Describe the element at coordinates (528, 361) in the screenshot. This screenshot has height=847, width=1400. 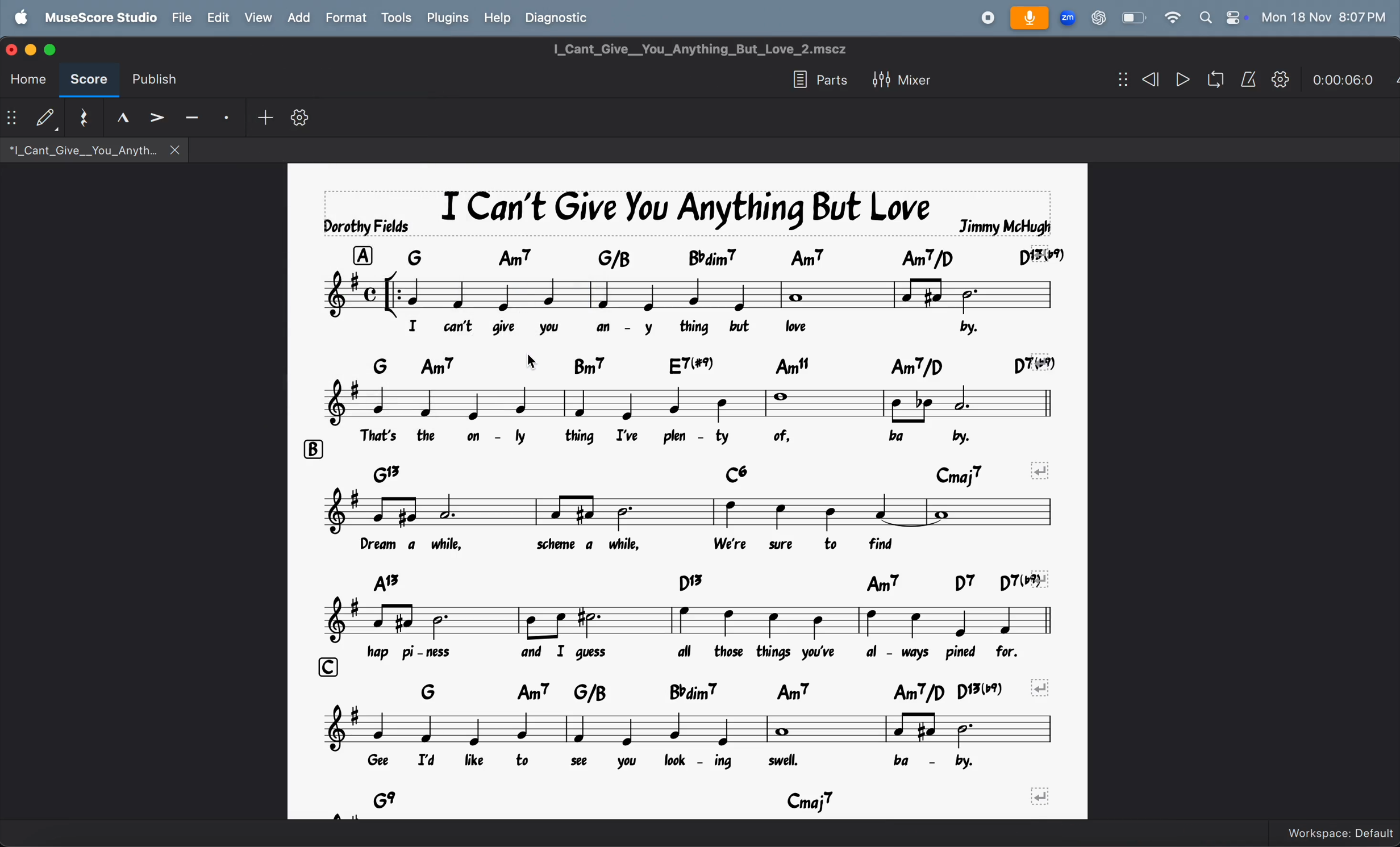
I see `cursor` at that location.